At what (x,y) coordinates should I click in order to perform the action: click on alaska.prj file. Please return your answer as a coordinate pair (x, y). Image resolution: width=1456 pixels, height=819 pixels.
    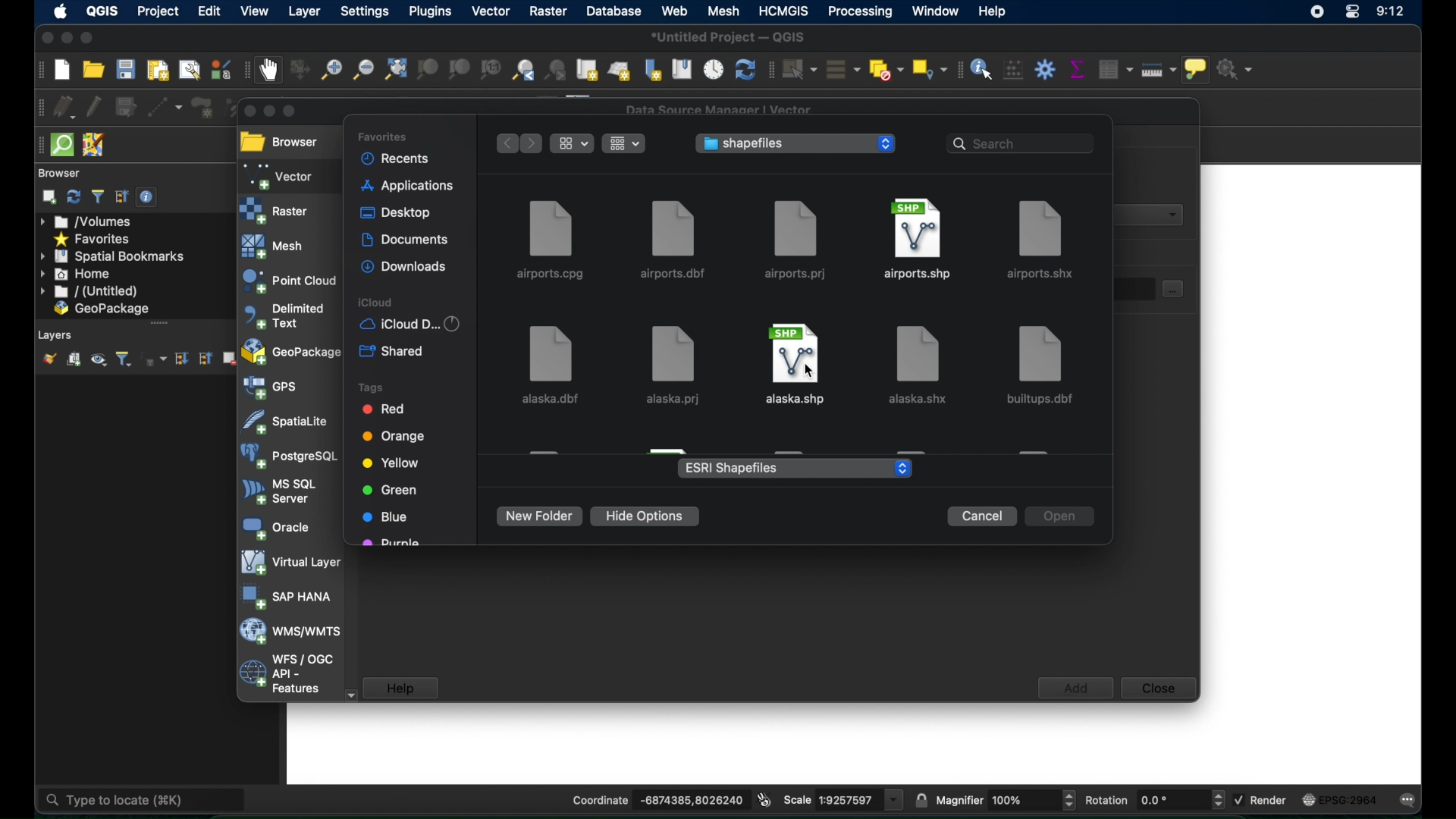
    Looking at the image, I should click on (675, 364).